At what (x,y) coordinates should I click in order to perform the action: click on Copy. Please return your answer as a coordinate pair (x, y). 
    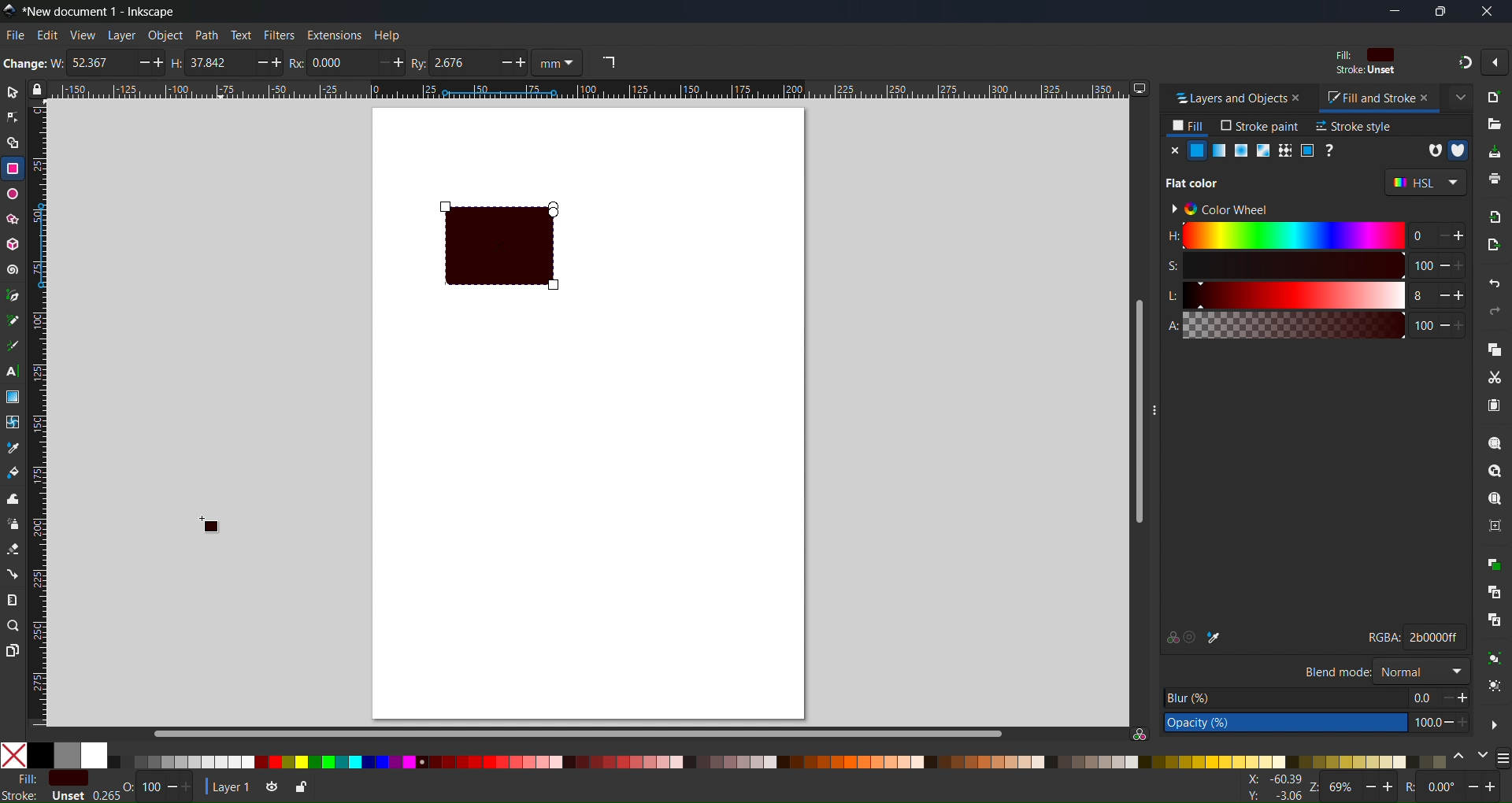
    Looking at the image, I should click on (1493, 347).